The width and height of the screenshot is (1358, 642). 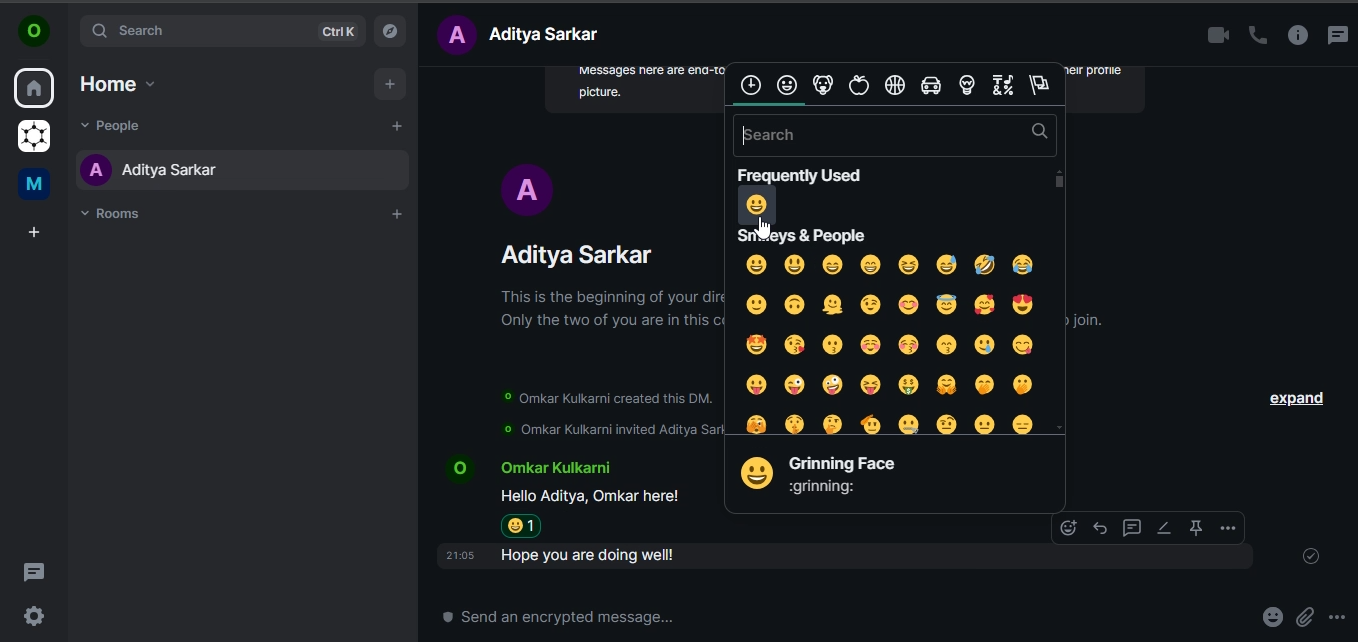 I want to click on smiling face with halo, so click(x=946, y=304).